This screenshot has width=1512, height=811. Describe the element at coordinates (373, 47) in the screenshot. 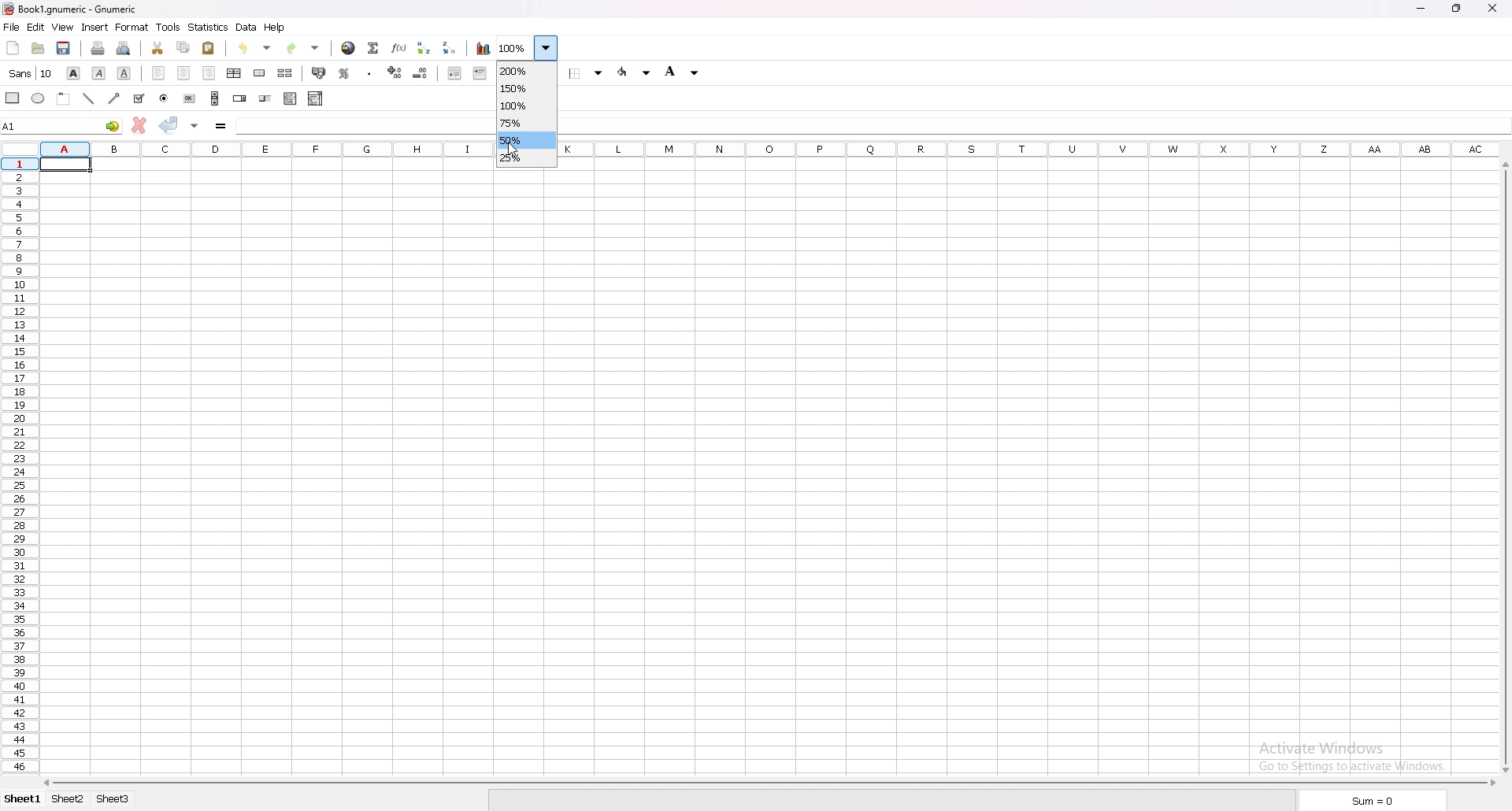

I see `summation` at that location.